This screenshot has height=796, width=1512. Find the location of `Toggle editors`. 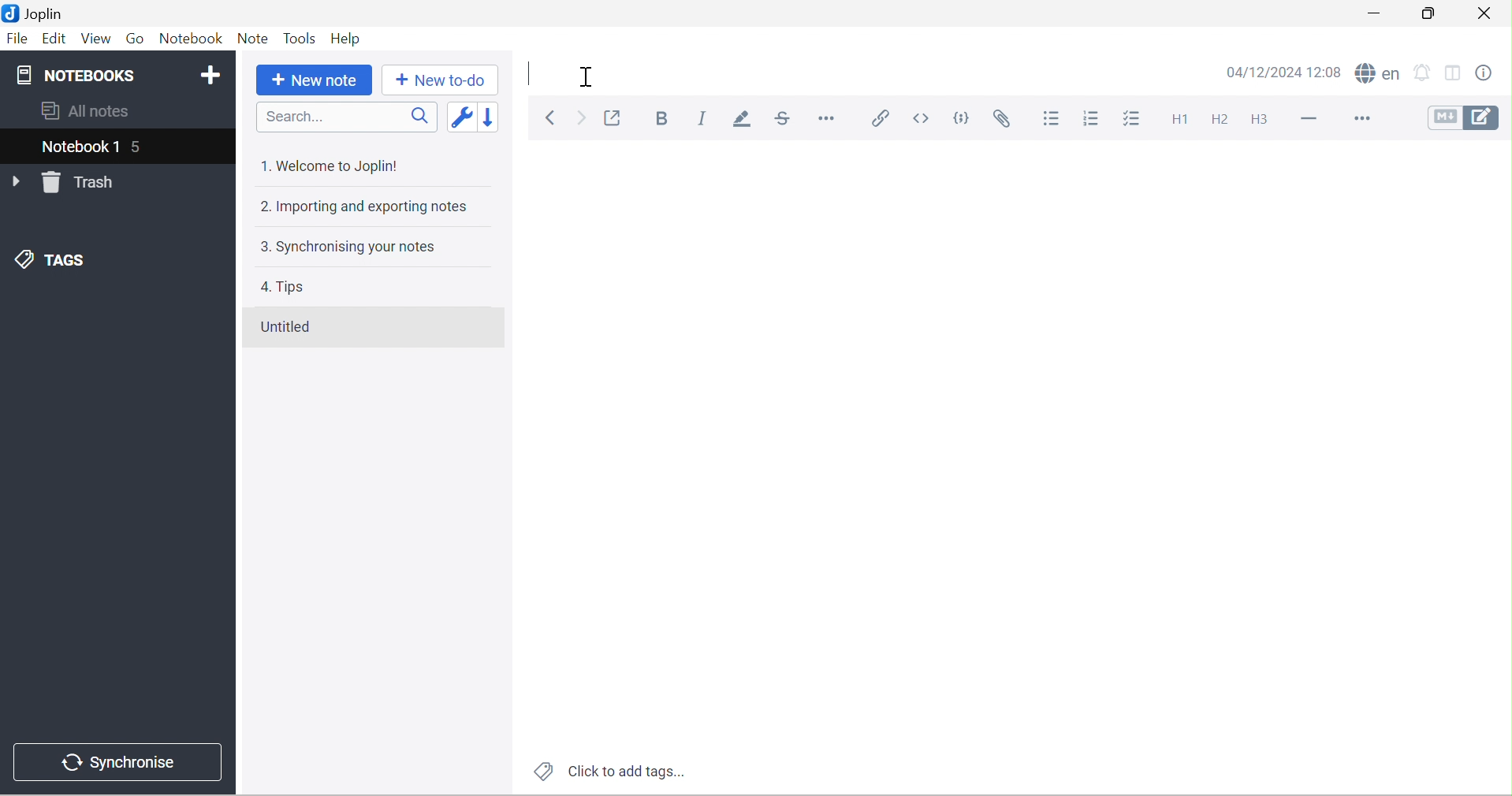

Toggle editors is located at coordinates (1468, 119).